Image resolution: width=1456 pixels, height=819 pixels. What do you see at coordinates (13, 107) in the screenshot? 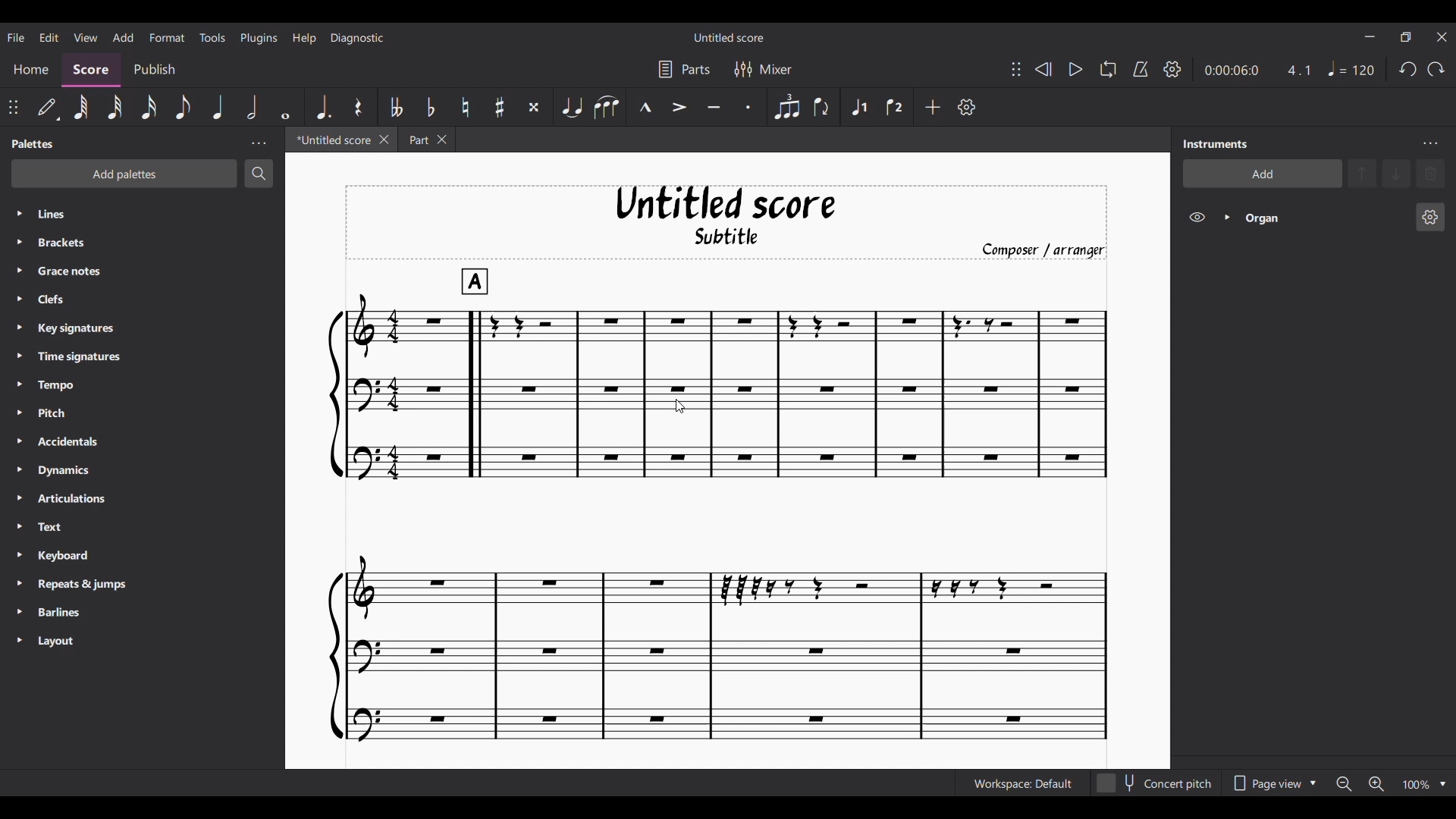
I see `Change position of toolbar attached` at bounding box center [13, 107].